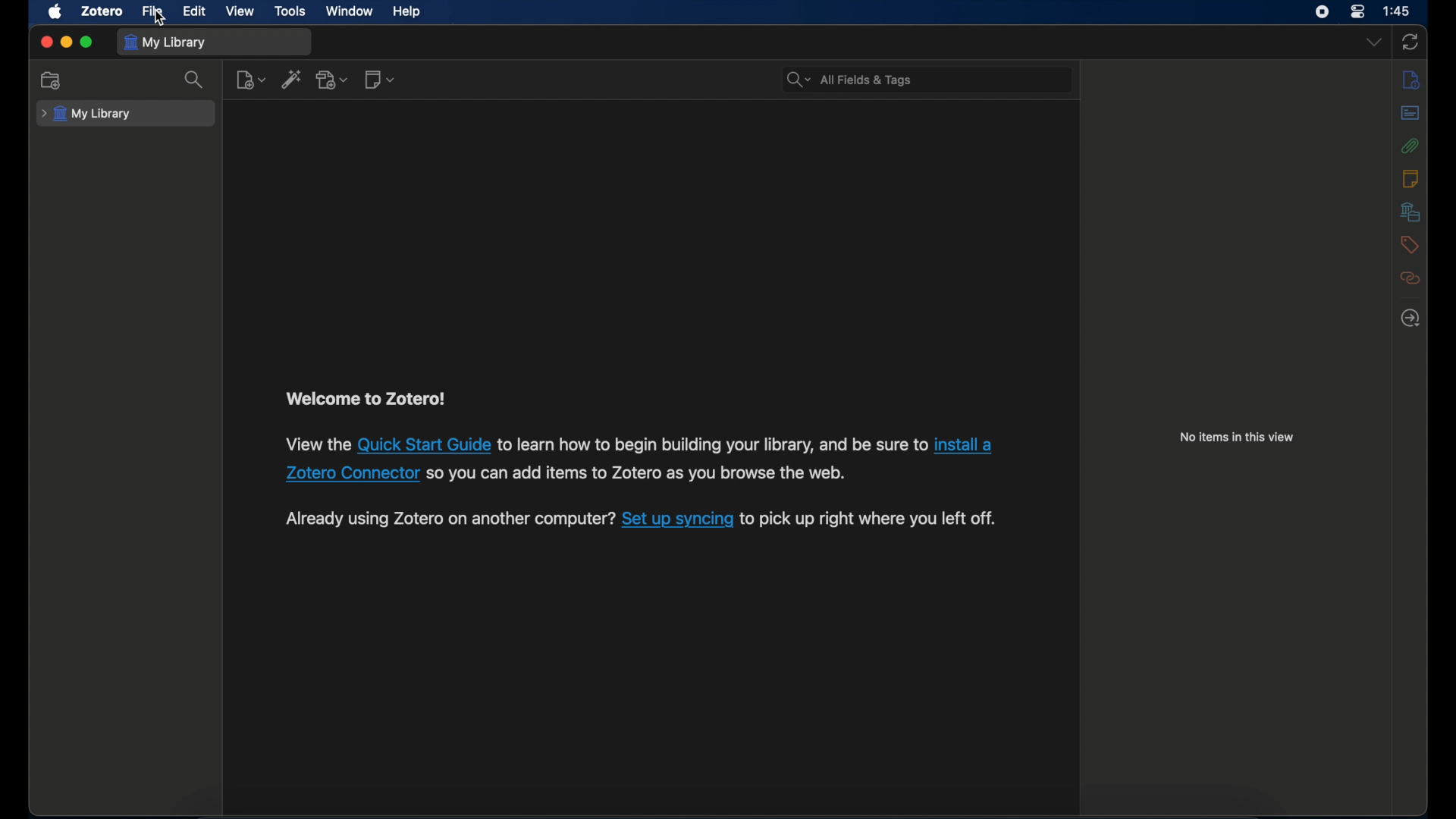 Image resolution: width=1456 pixels, height=819 pixels. What do you see at coordinates (349, 11) in the screenshot?
I see `window` at bounding box center [349, 11].